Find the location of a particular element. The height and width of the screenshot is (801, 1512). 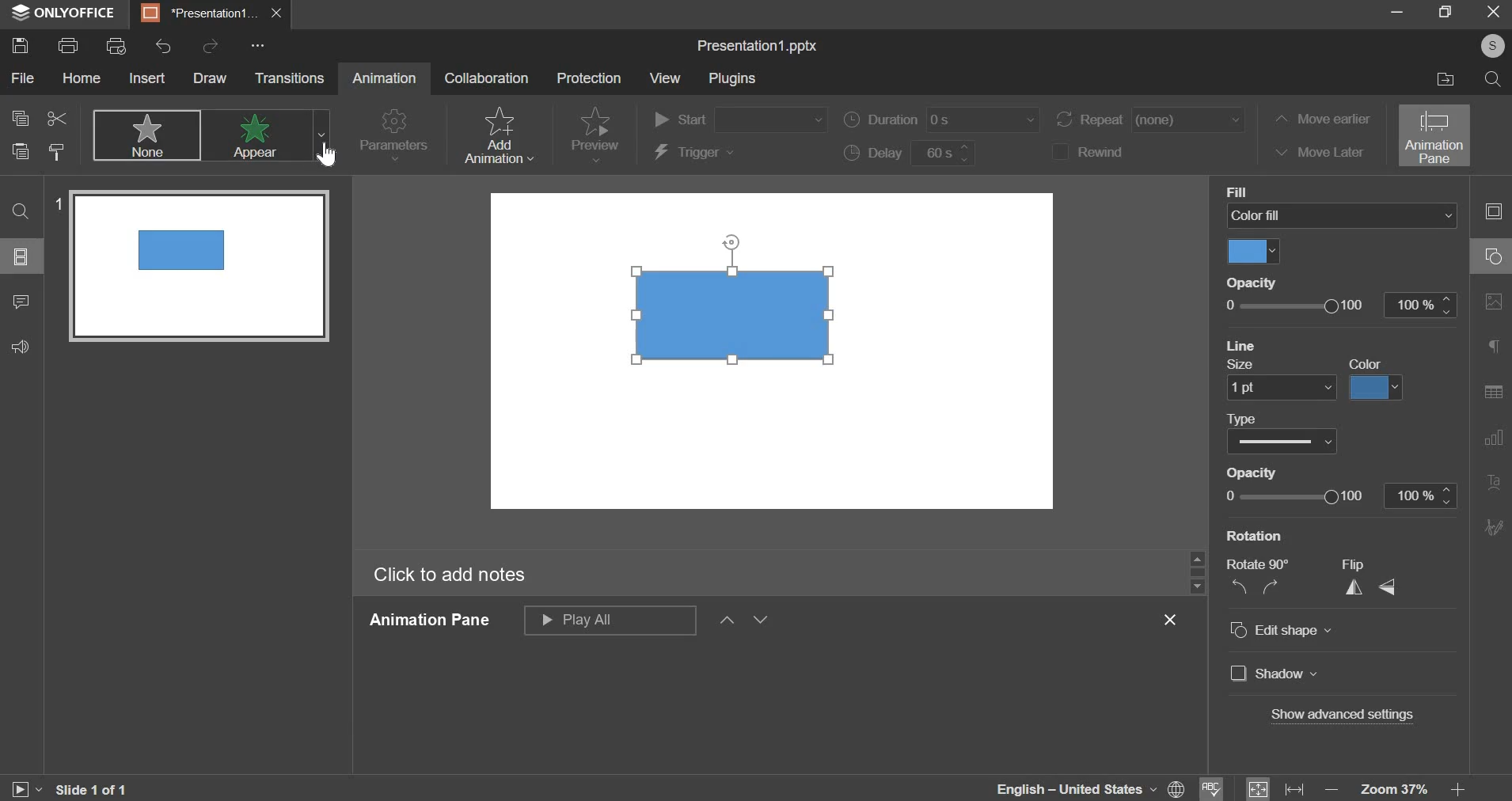

100% is located at coordinates (1416, 495).